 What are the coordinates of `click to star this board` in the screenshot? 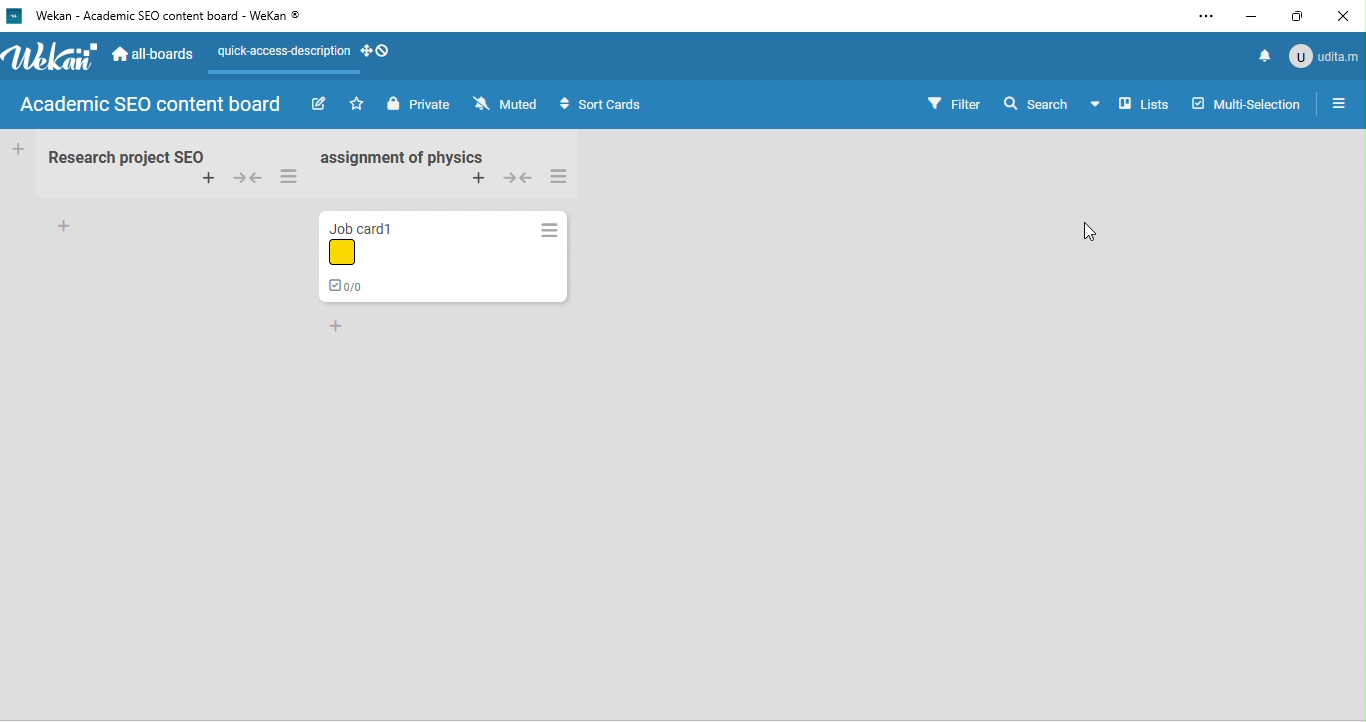 It's located at (359, 104).